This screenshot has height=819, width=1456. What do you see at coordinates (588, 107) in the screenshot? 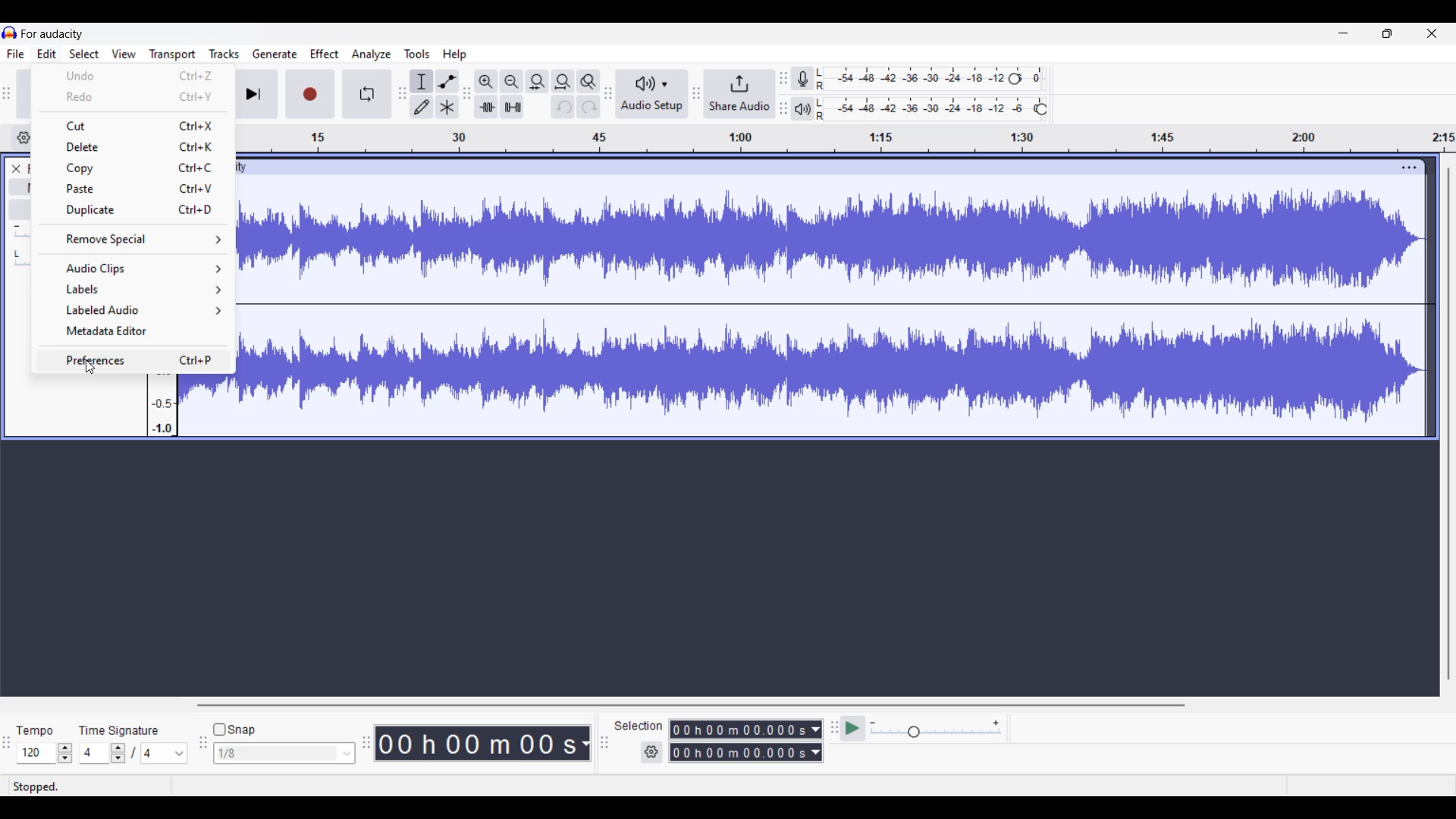
I see `Redo` at bounding box center [588, 107].